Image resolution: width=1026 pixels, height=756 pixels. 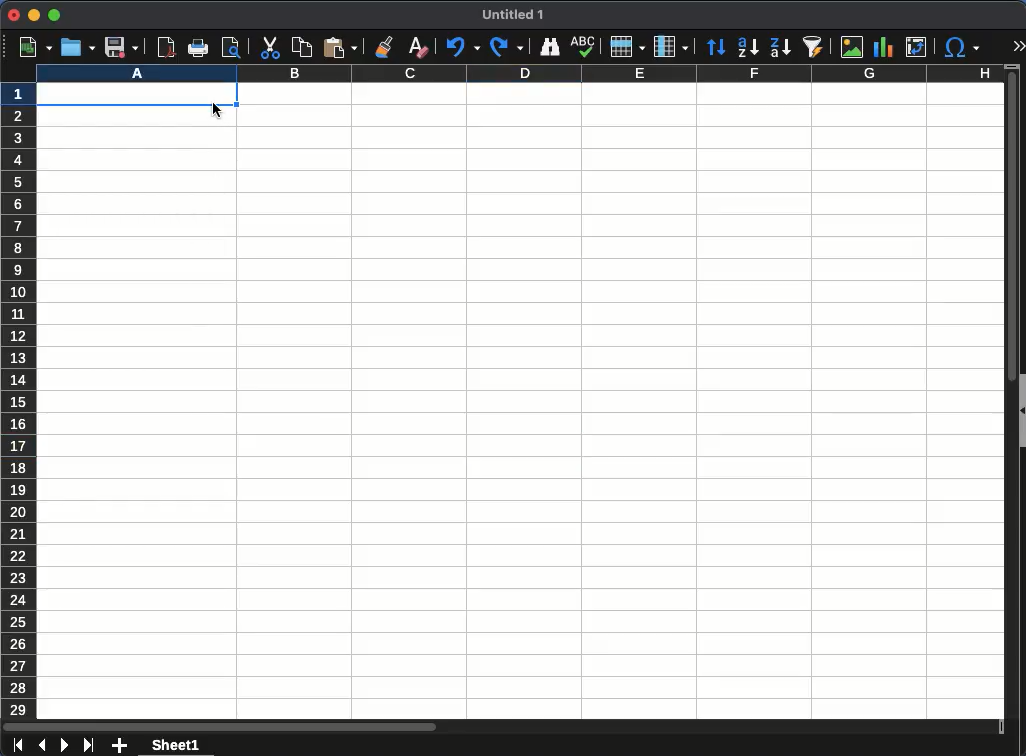 What do you see at coordinates (199, 48) in the screenshot?
I see `print` at bounding box center [199, 48].